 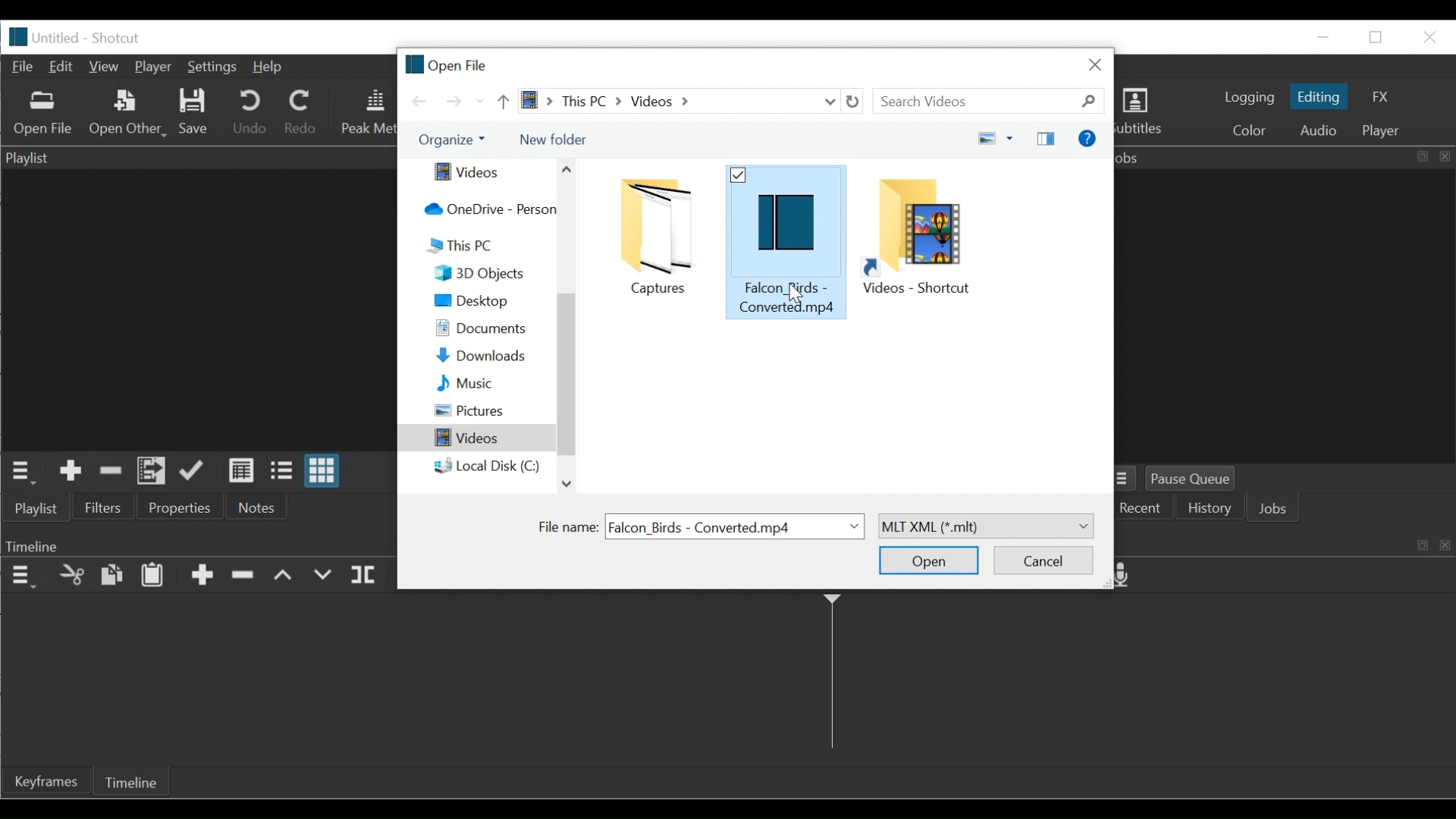 I want to click on Add the files to the playlist, so click(x=151, y=471).